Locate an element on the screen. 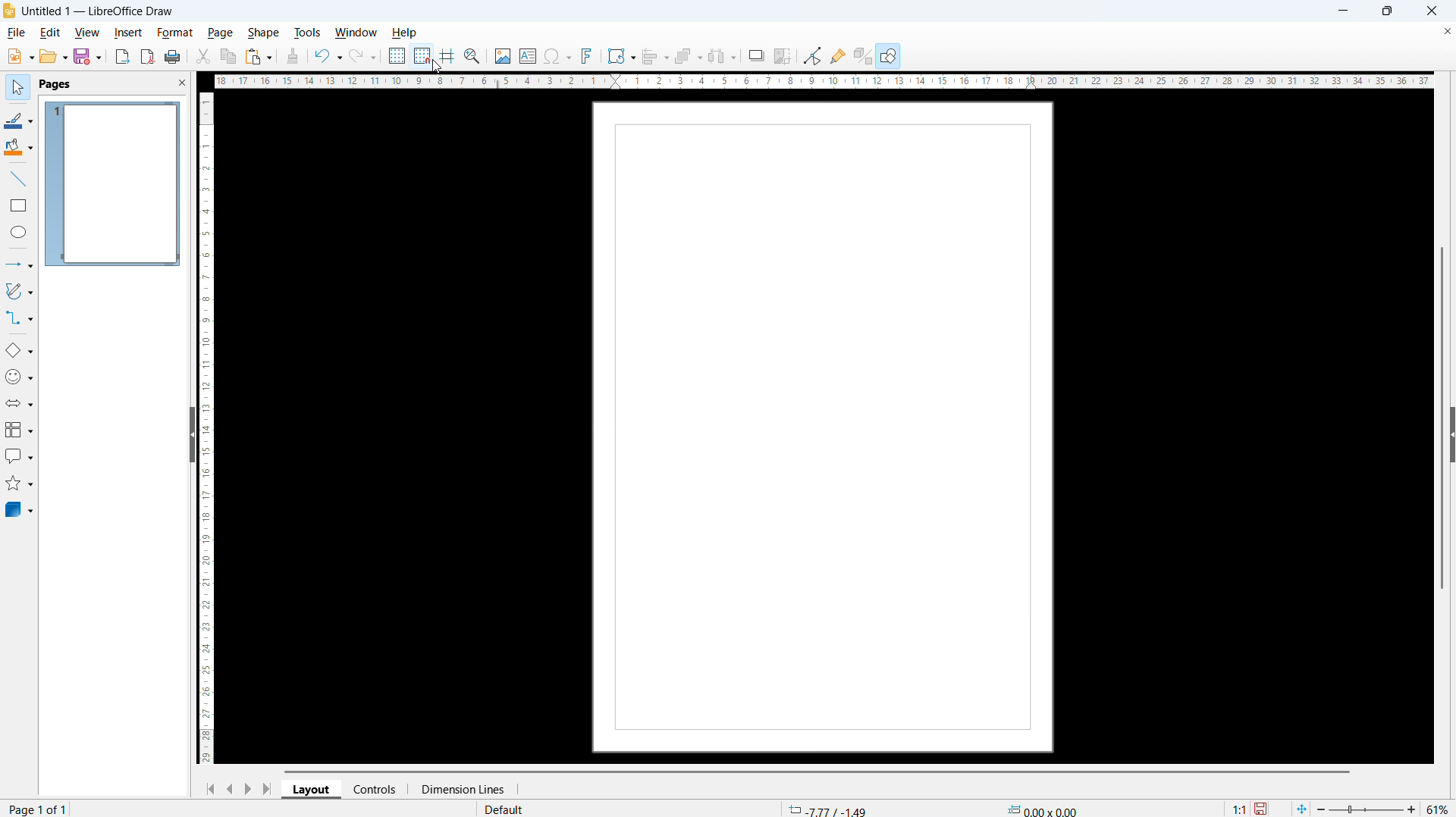 Image resolution: width=1456 pixels, height=817 pixels. Arrange  is located at coordinates (688, 56).